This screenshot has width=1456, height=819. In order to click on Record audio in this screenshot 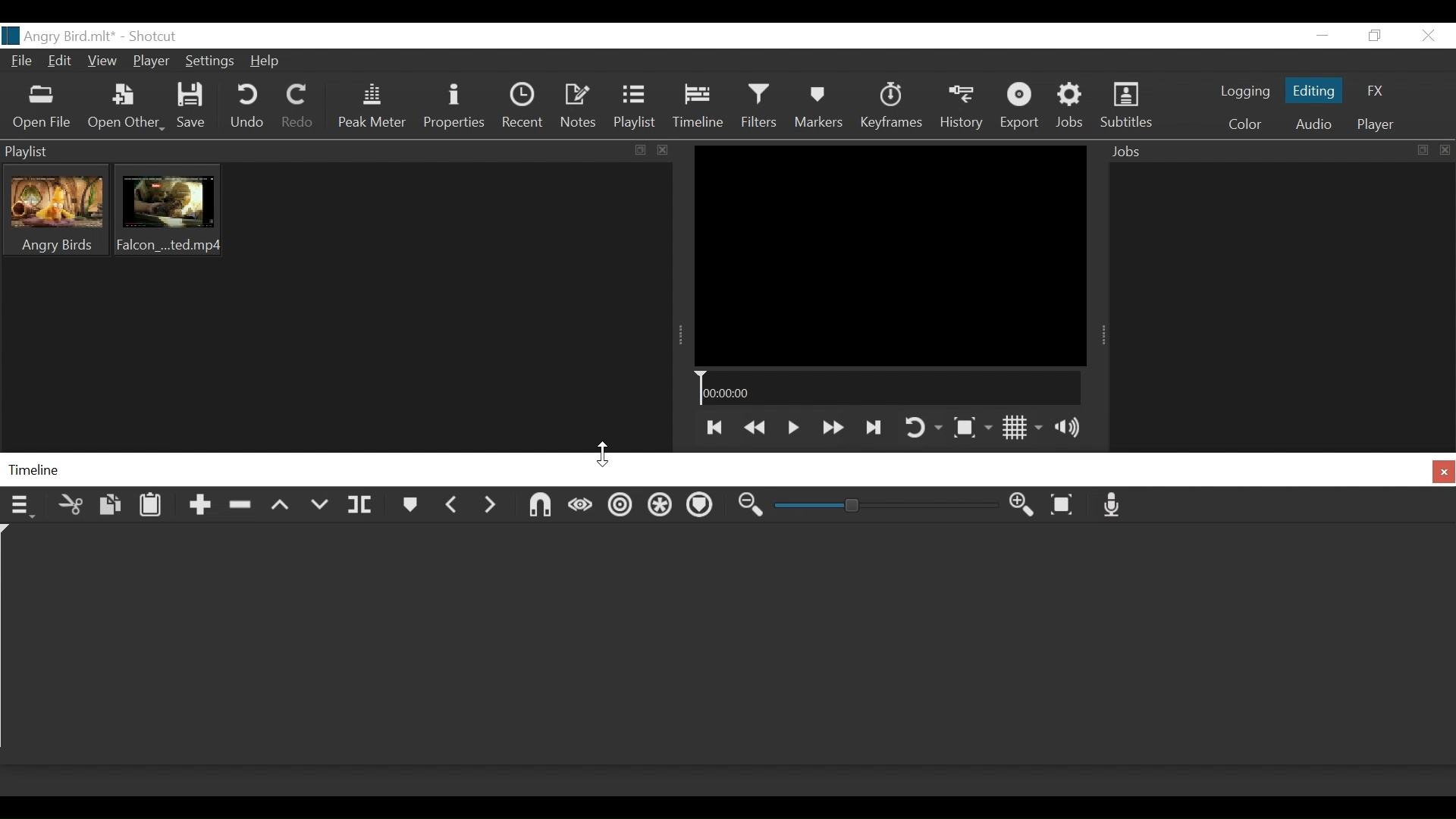, I will do `click(1116, 507)`.